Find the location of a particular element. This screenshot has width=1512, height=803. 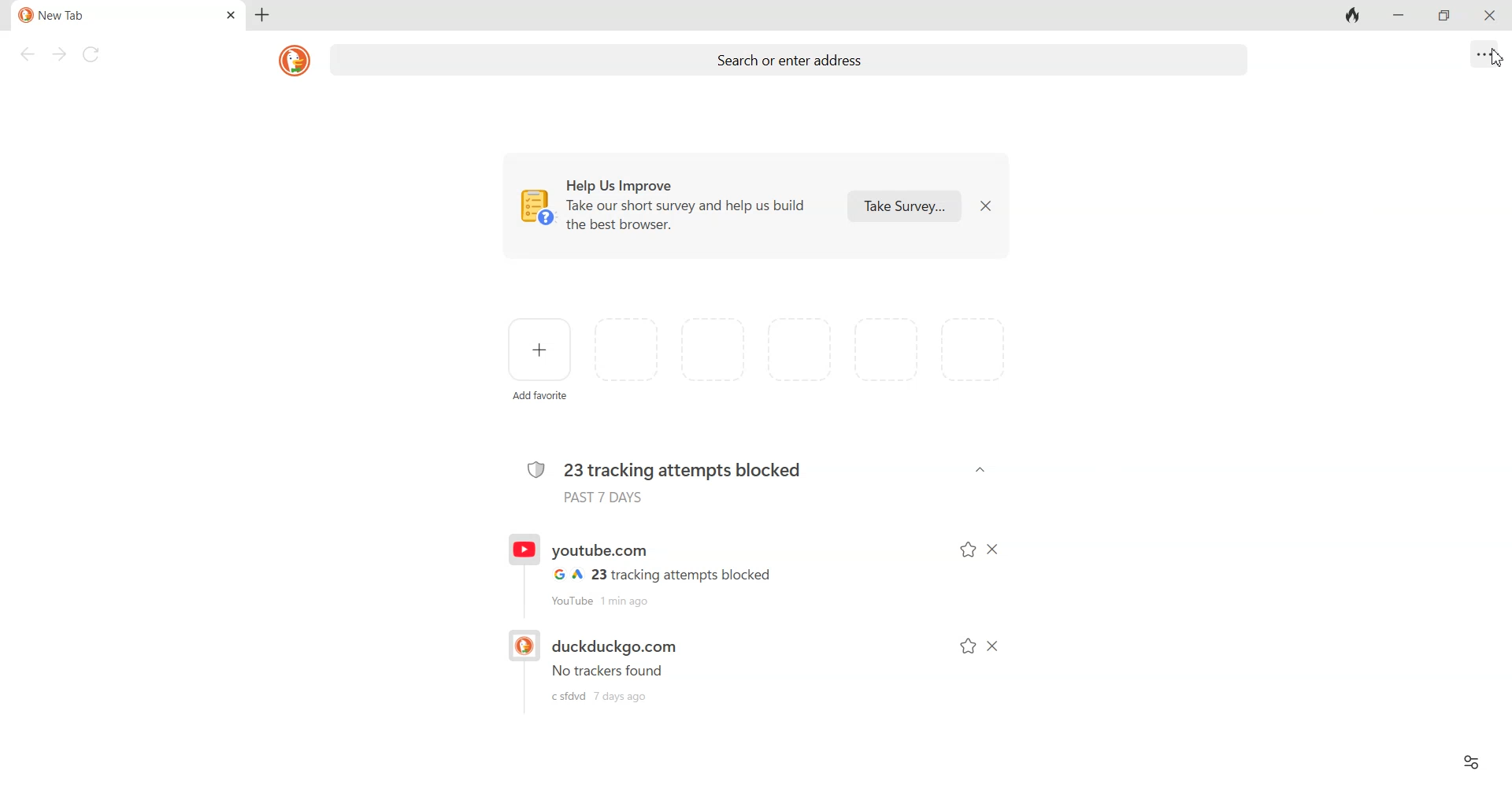

Current tab is located at coordinates (103, 15).